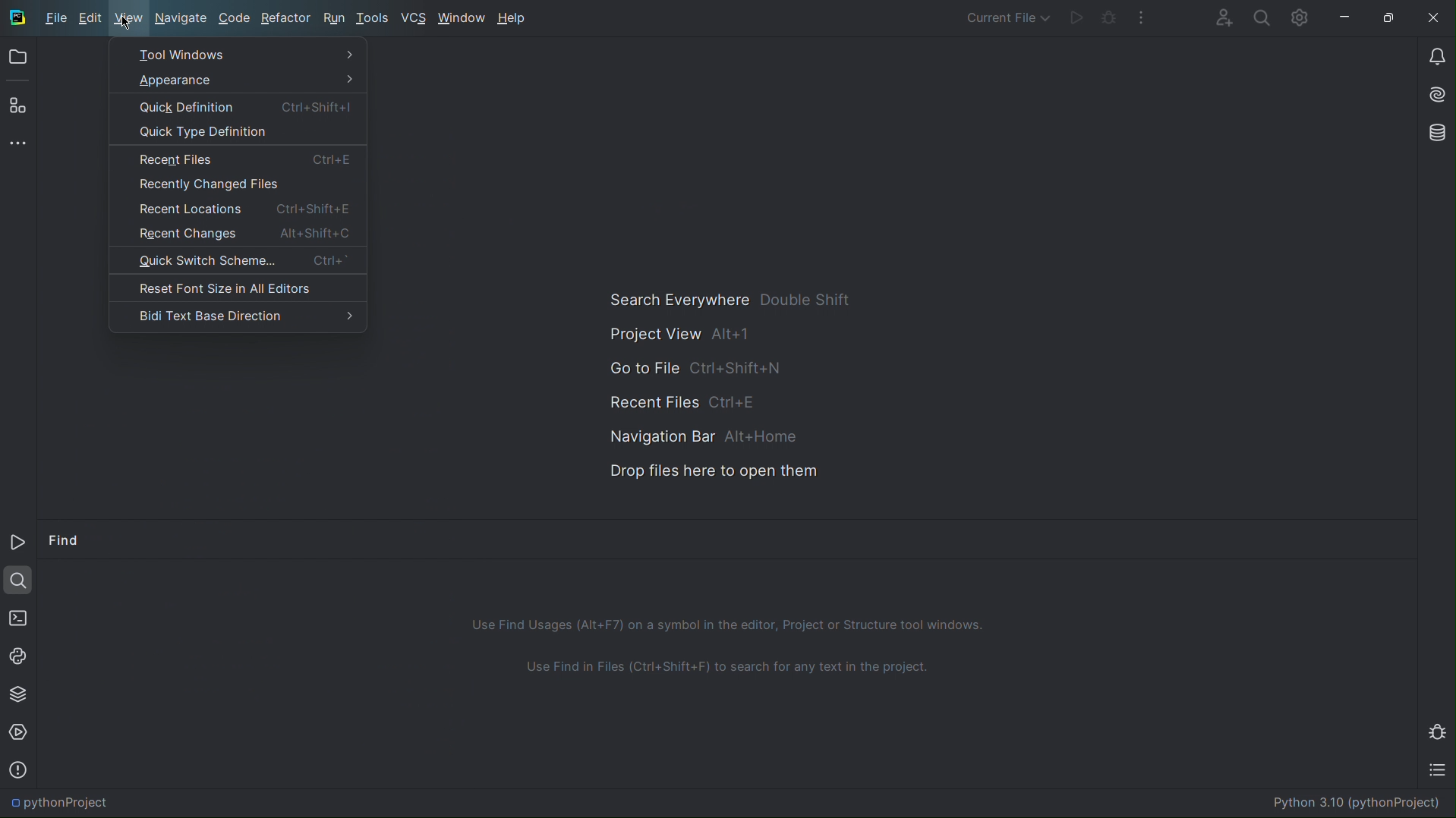  I want to click on Logo, so click(29, 18).